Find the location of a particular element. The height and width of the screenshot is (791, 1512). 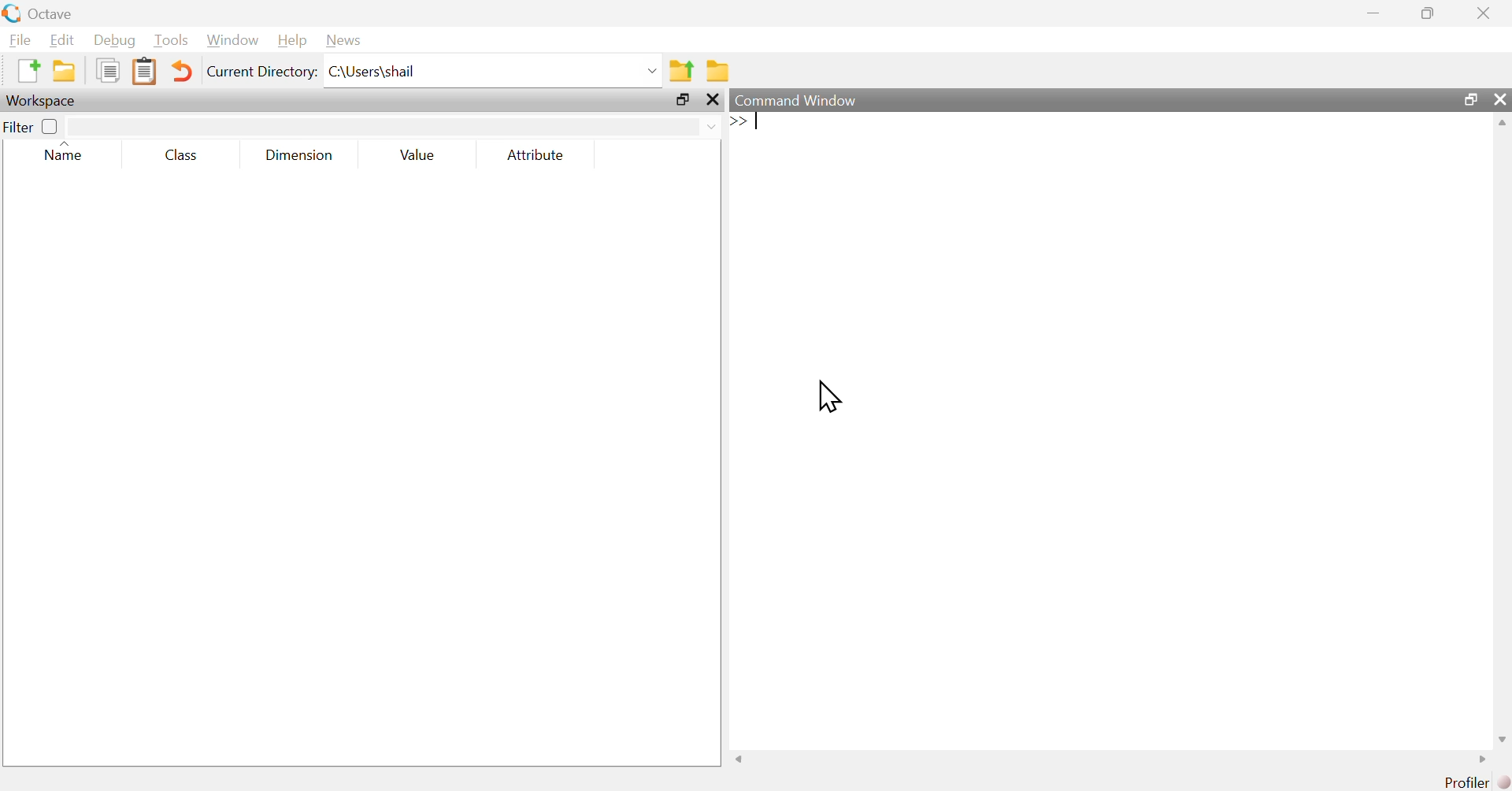

Scrollbar down is located at coordinates (1502, 737).